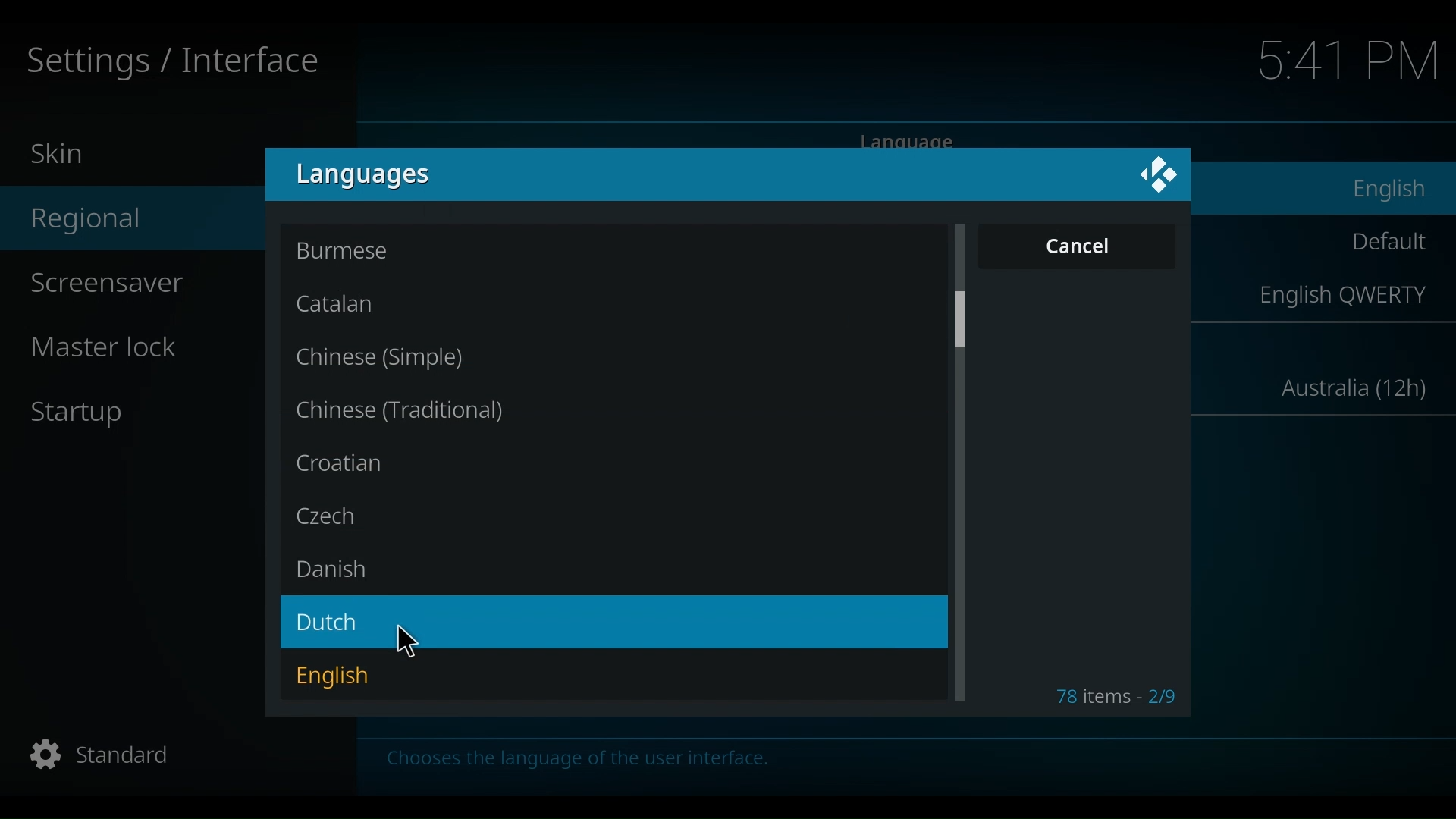 The image size is (1456, 819). Describe the element at coordinates (1154, 174) in the screenshot. I see `Kido logo` at that location.